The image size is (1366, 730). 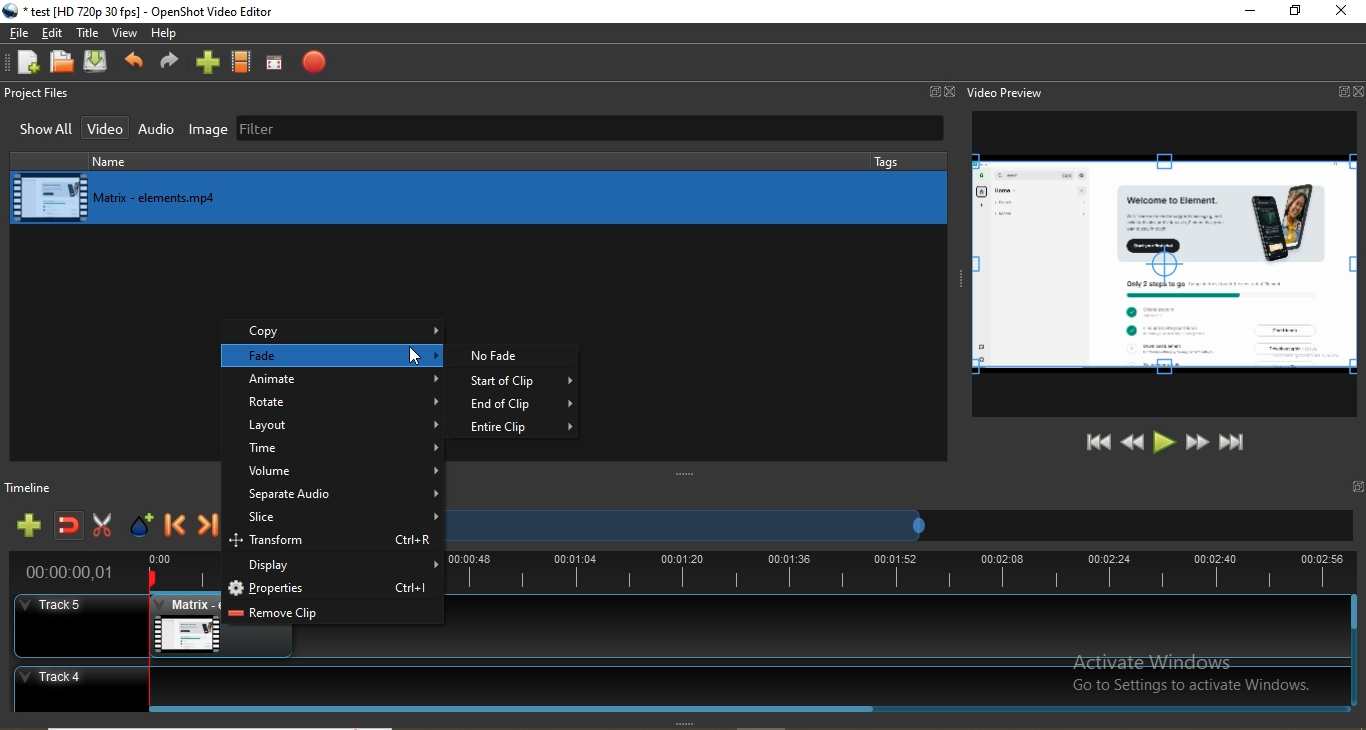 I want to click on Timeline, so click(x=37, y=486).